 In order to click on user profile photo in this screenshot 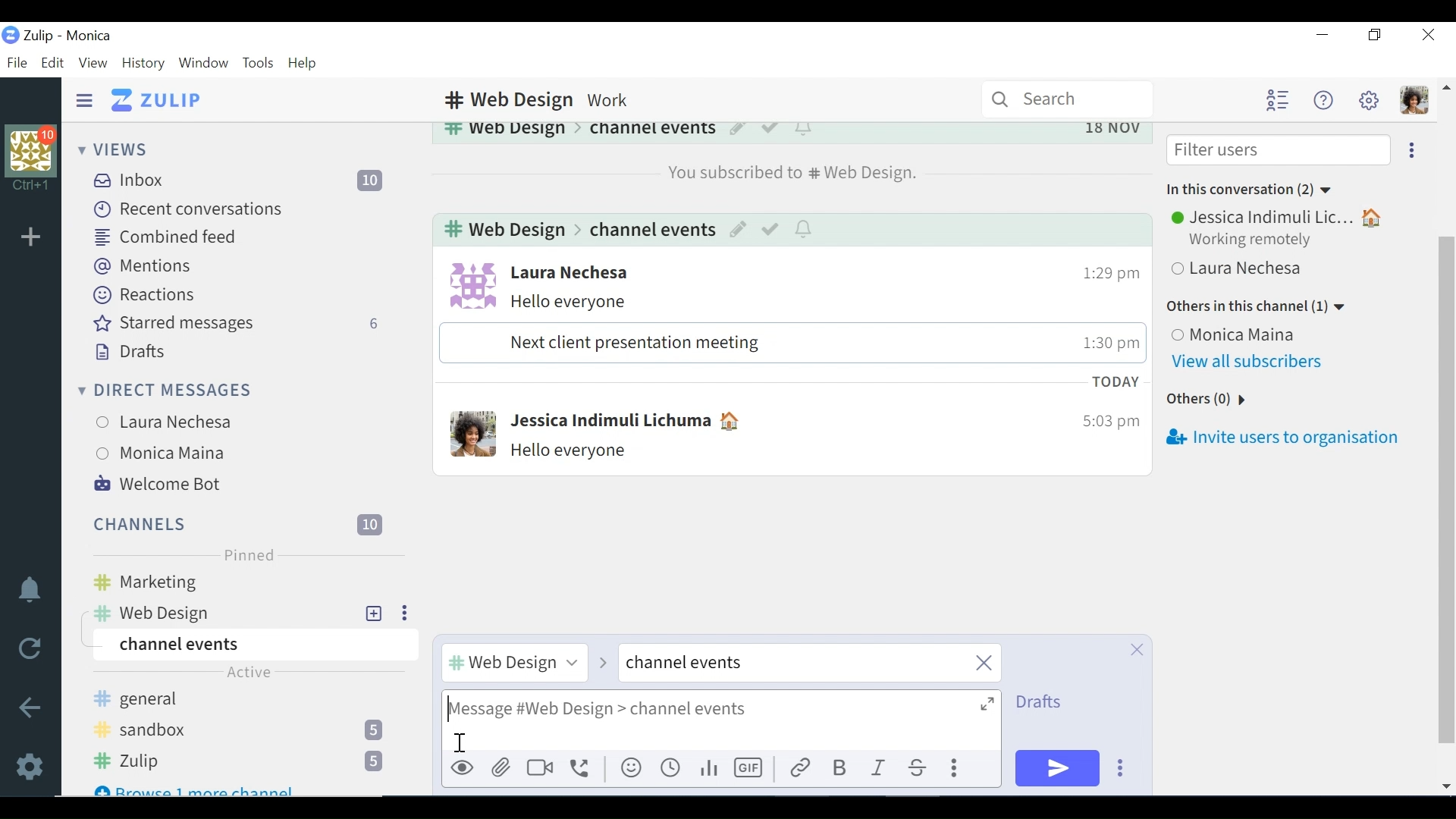, I will do `click(472, 287)`.